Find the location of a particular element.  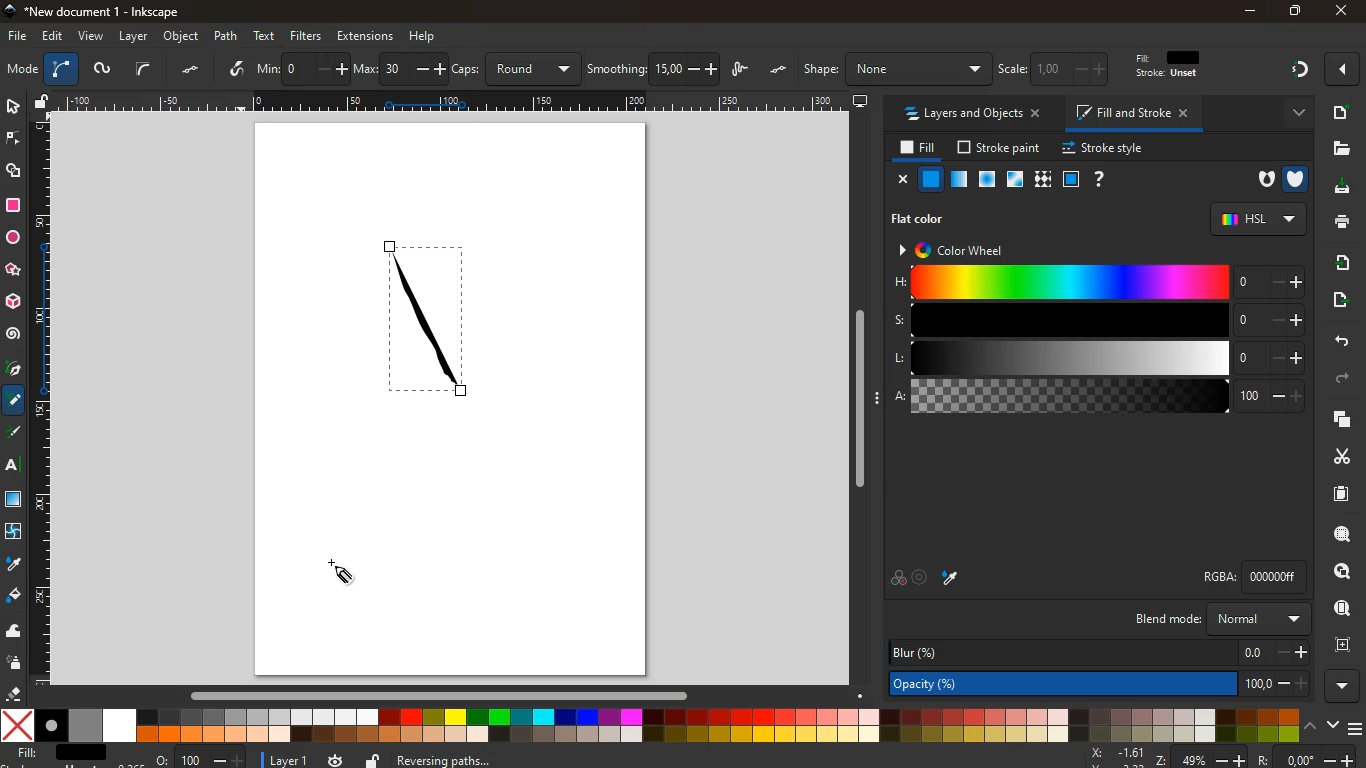

l is located at coordinates (1099, 359).